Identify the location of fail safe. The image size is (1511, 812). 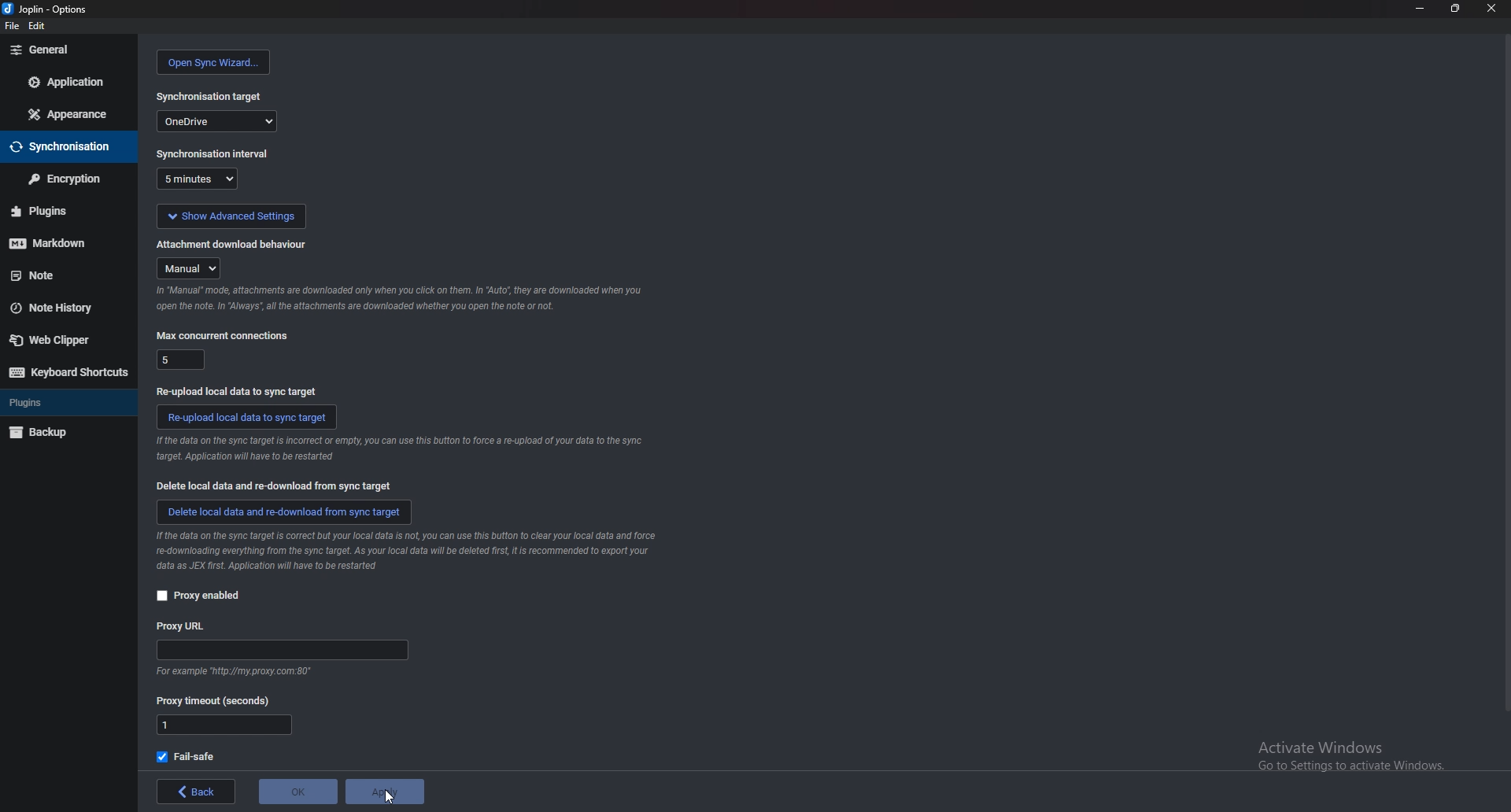
(187, 757).